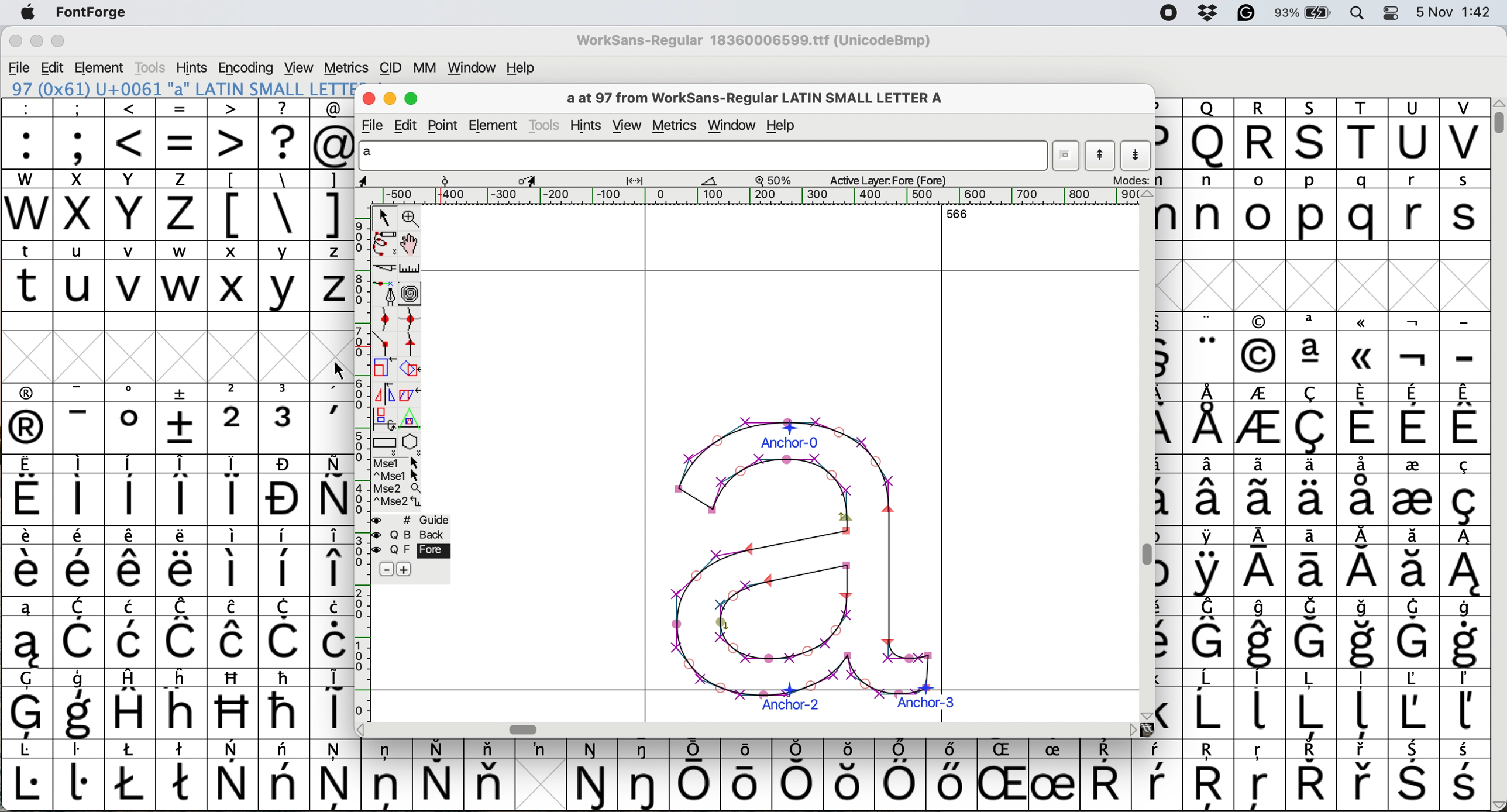 Image resolution: width=1507 pixels, height=812 pixels. What do you see at coordinates (494, 127) in the screenshot?
I see `element` at bounding box center [494, 127].